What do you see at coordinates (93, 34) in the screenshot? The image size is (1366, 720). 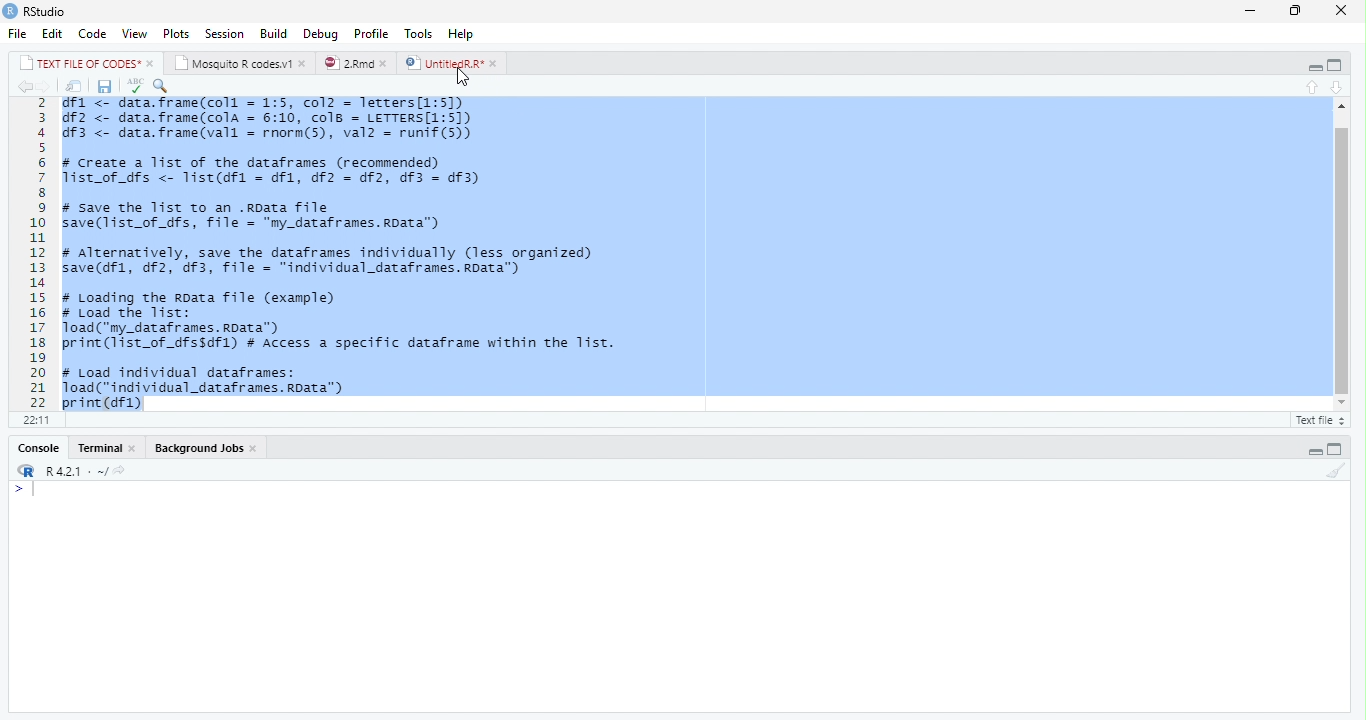 I see `Code` at bounding box center [93, 34].